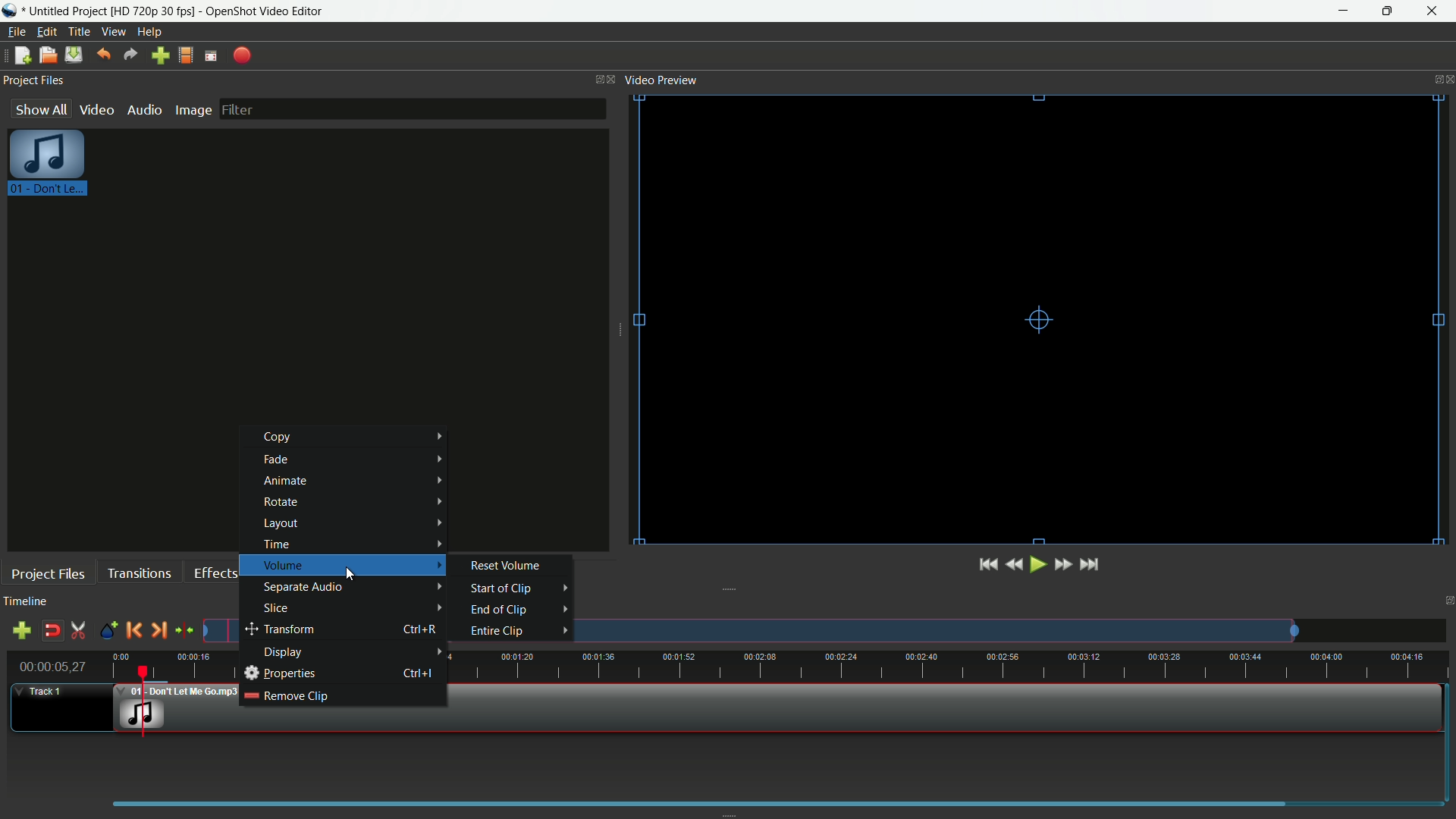  What do you see at coordinates (317, 630) in the screenshot?
I see `transform` at bounding box center [317, 630].